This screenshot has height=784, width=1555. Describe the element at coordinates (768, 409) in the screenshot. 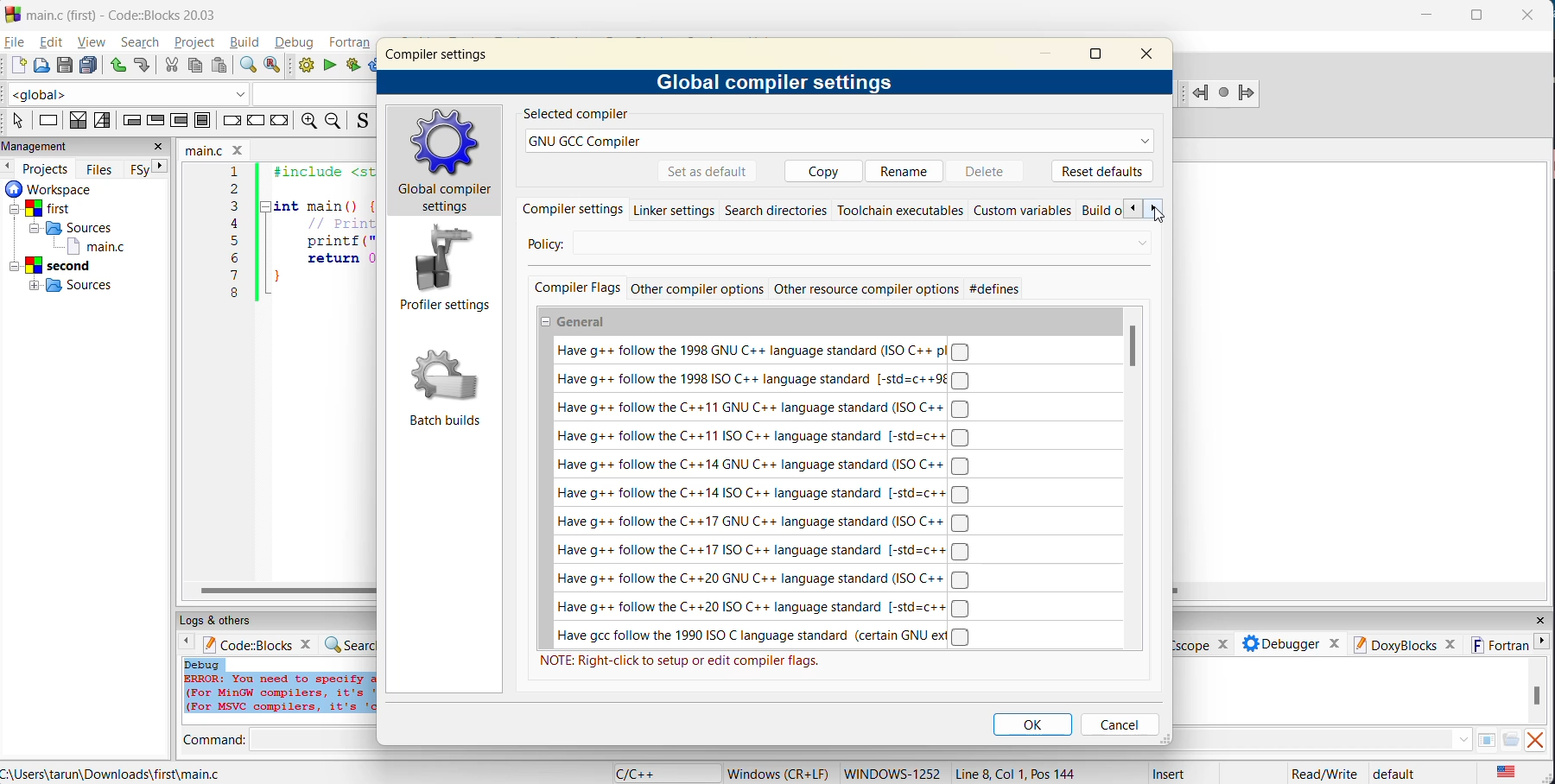

I see `Have g++ follow the C++11 GNU C++ language standard (ISO C++` at that location.